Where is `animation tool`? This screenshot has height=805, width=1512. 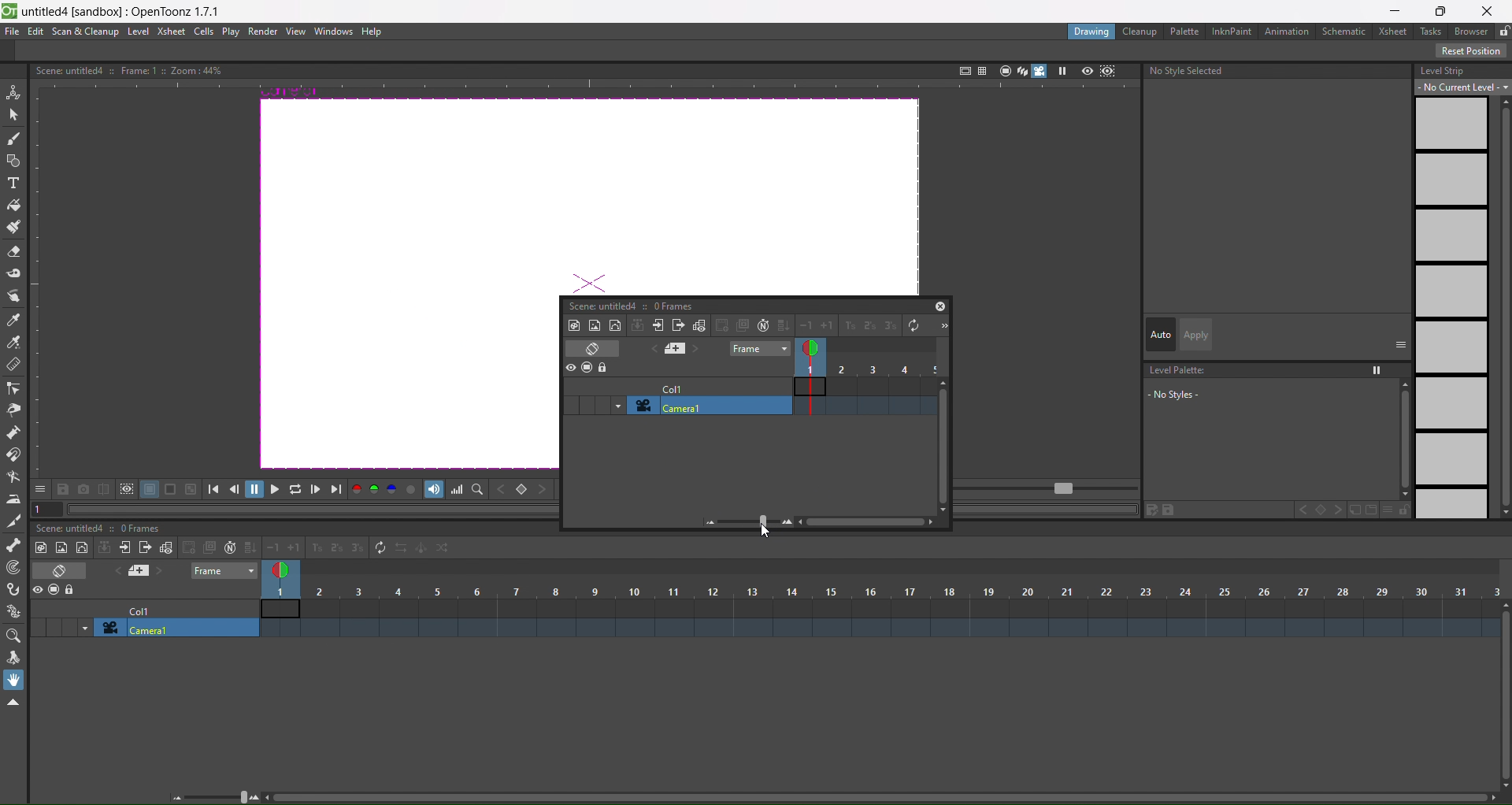
animation tool is located at coordinates (13, 91).